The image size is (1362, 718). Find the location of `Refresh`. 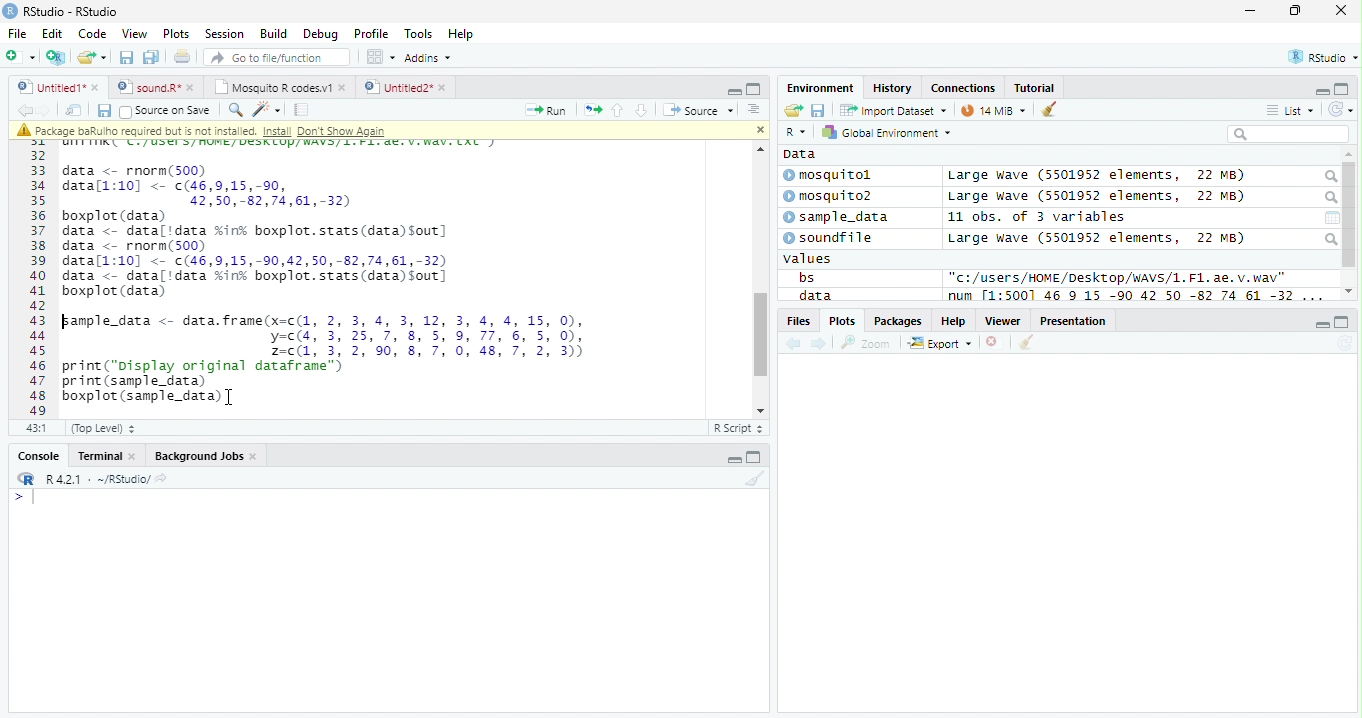

Refresh is located at coordinates (1344, 344).